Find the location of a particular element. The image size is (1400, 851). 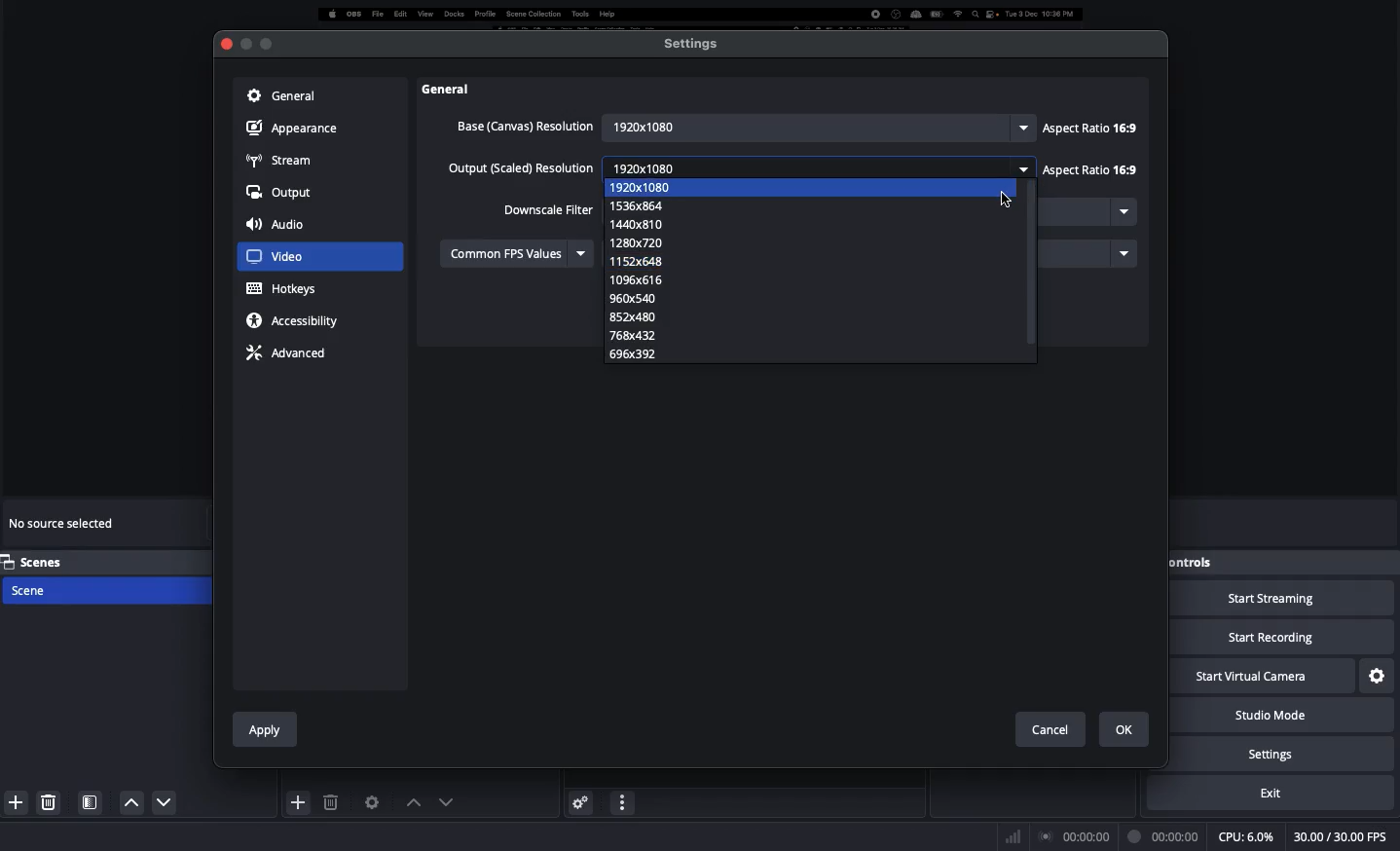

1152x648 is located at coordinates (642, 264).